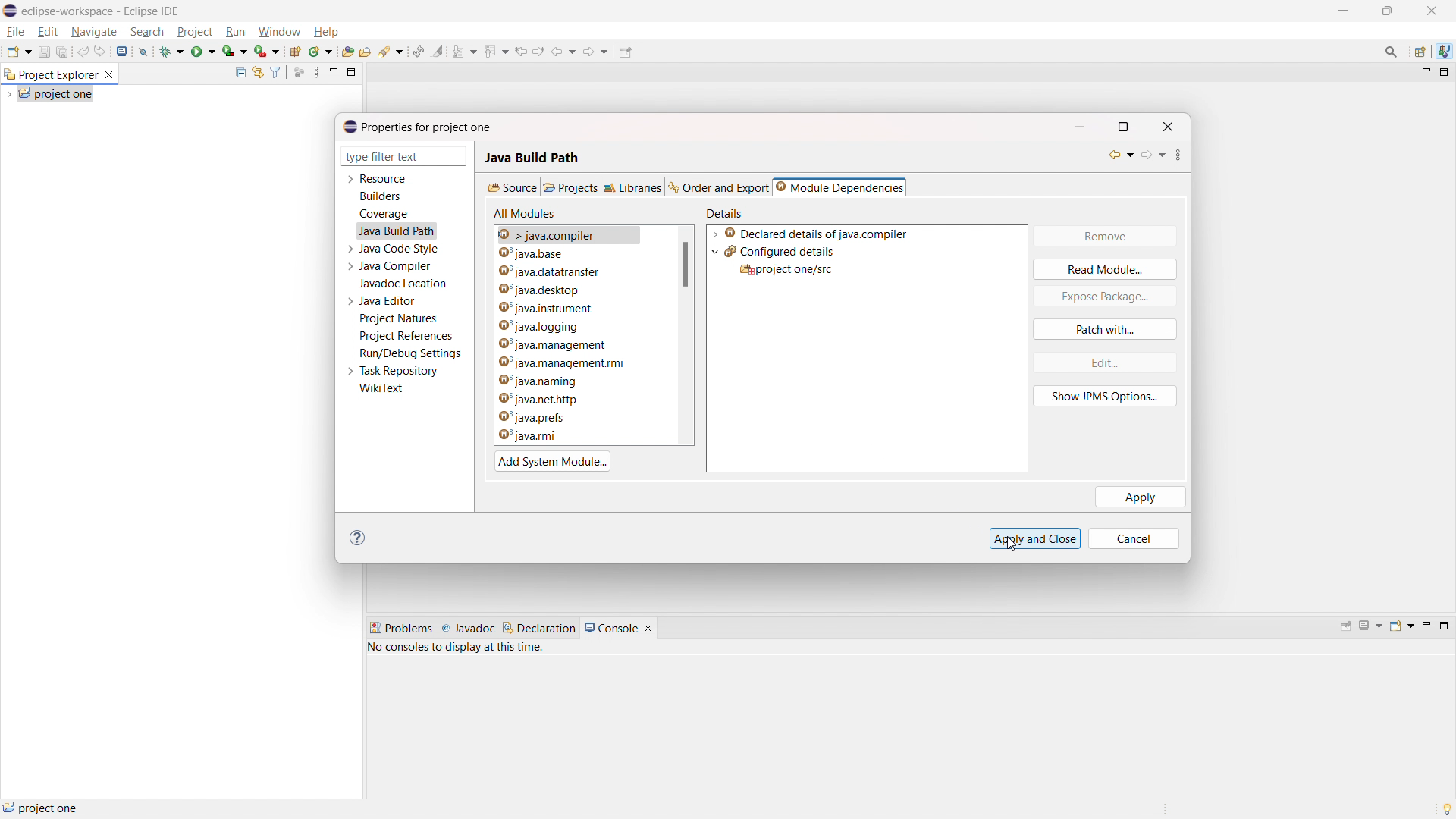 The height and width of the screenshot is (819, 1456). Describe the element at coordinates (397, 266) in the screenshot. I see `java compiler` at that location.